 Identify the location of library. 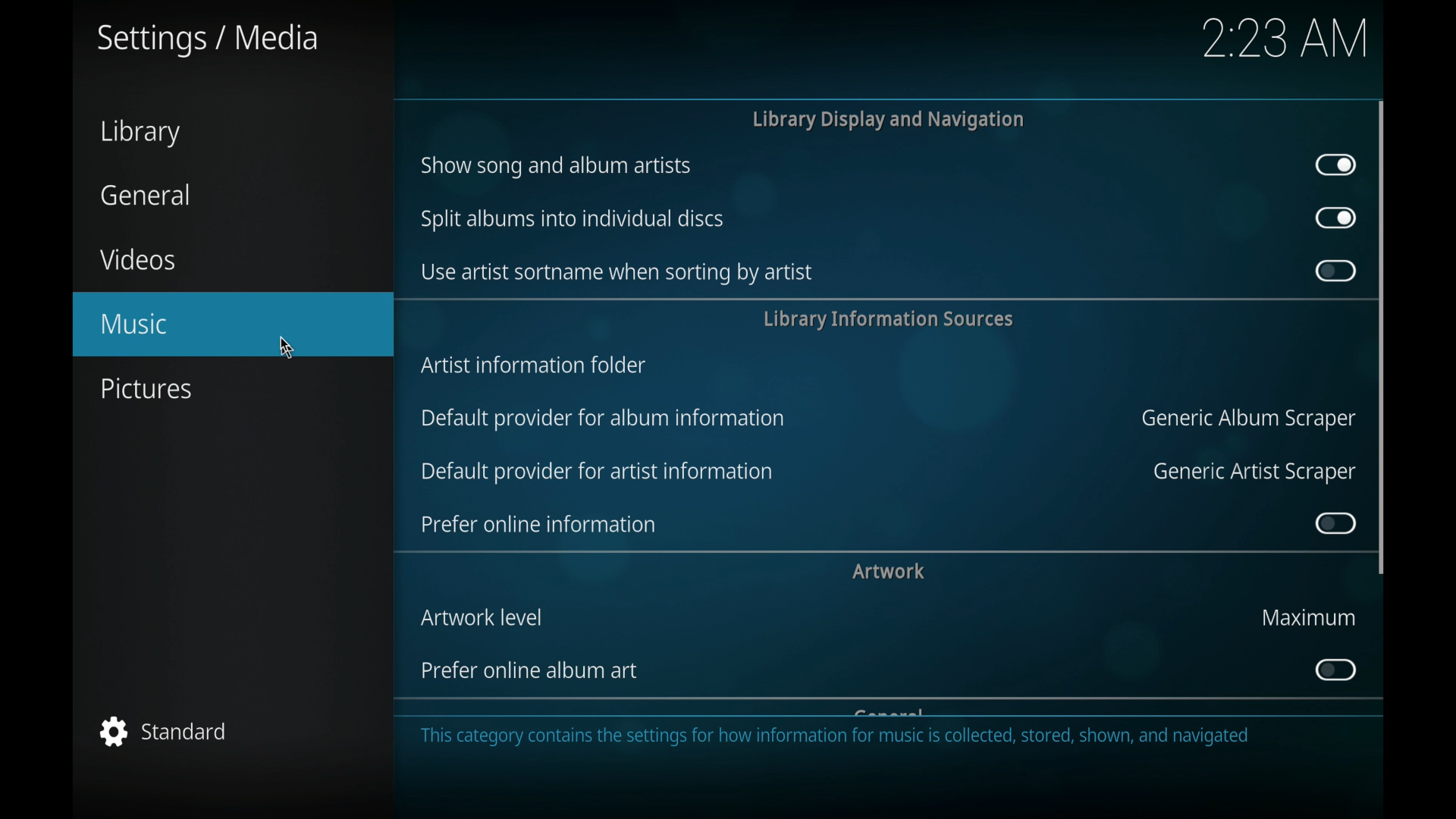
(140, 133).